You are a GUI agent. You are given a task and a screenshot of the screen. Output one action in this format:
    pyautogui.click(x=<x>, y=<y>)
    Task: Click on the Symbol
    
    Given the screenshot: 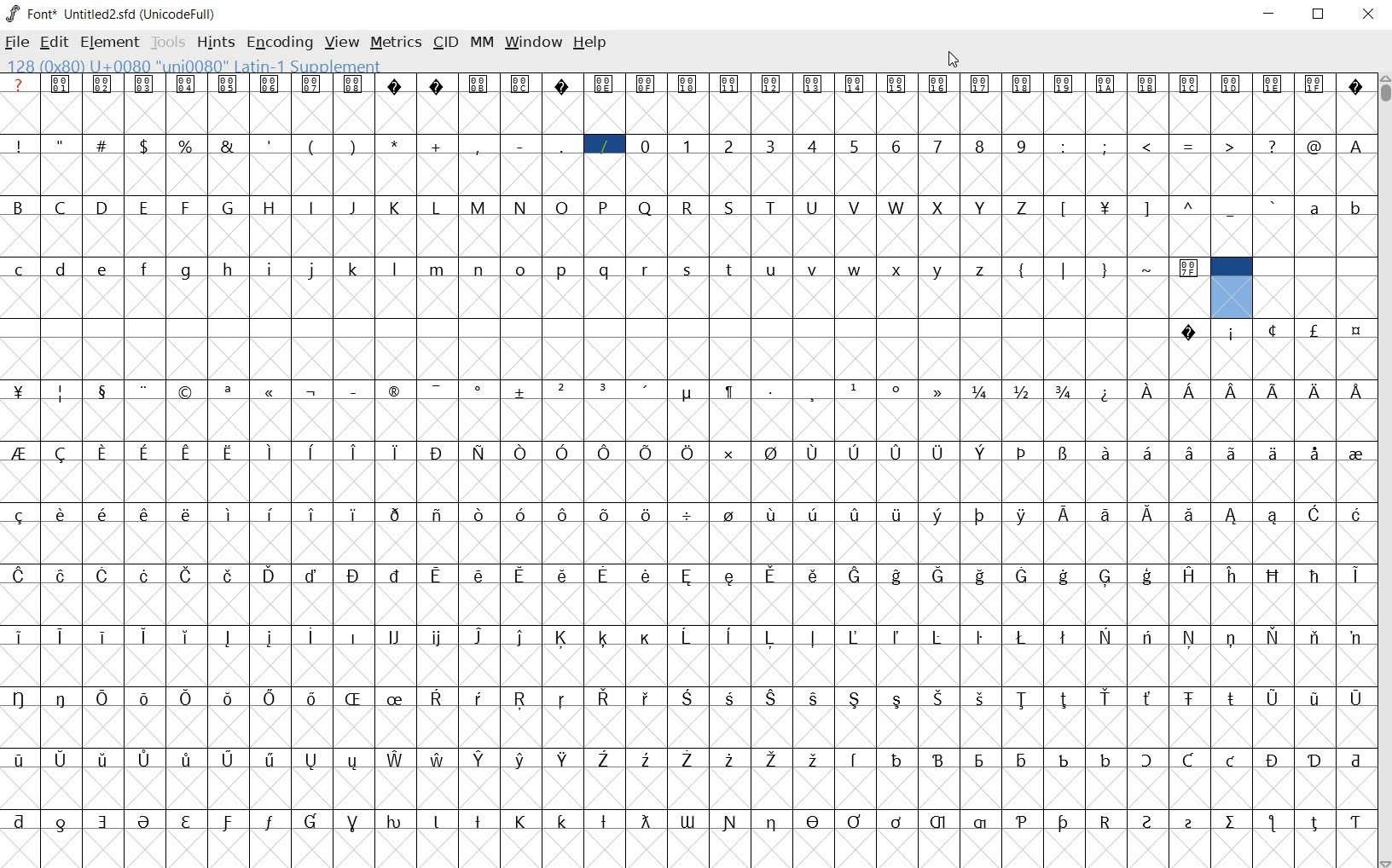 What is the action you would take?
    pyautogui.click(x=520, y=453)
    